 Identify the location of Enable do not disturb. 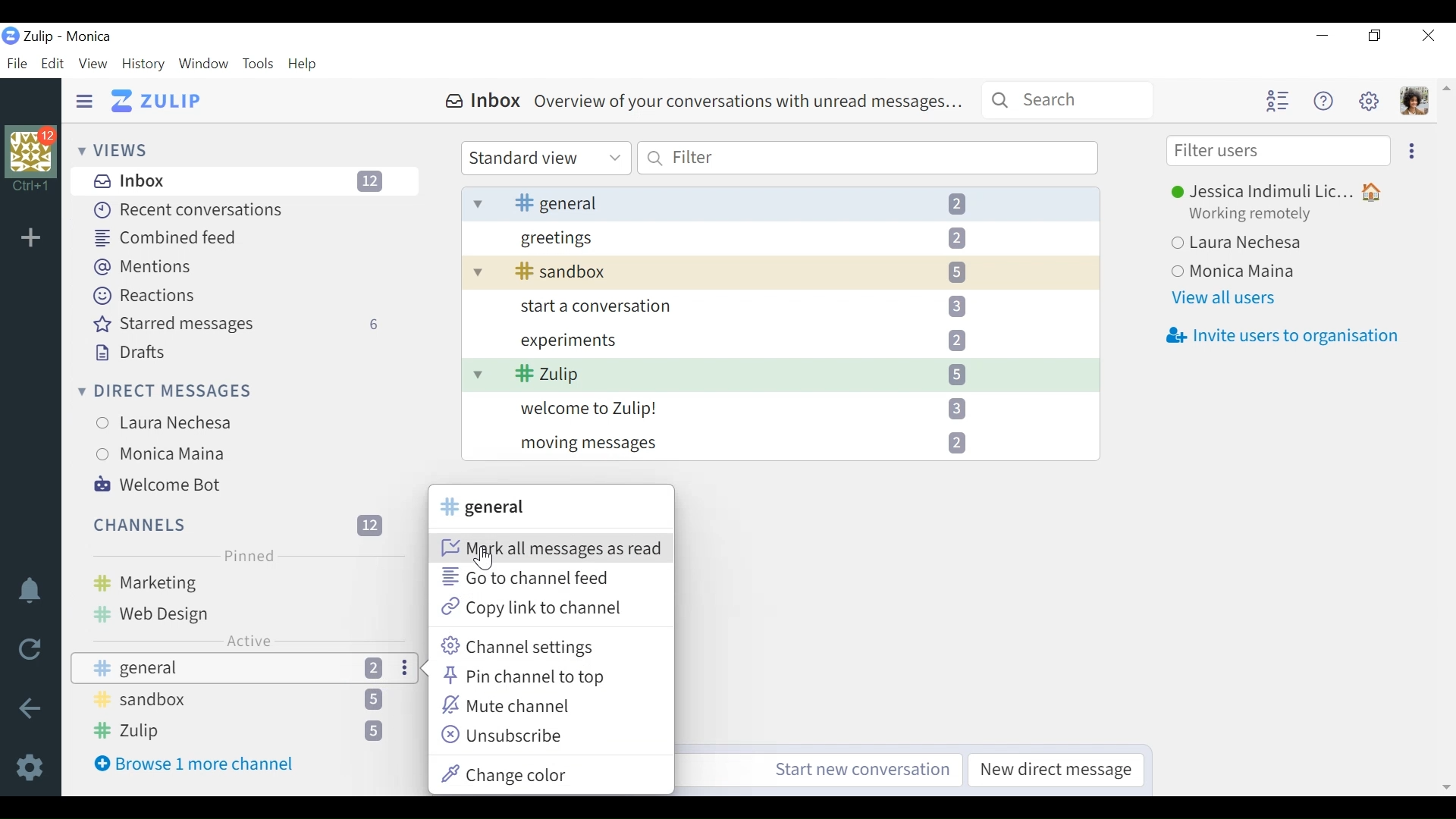
(33, 593).